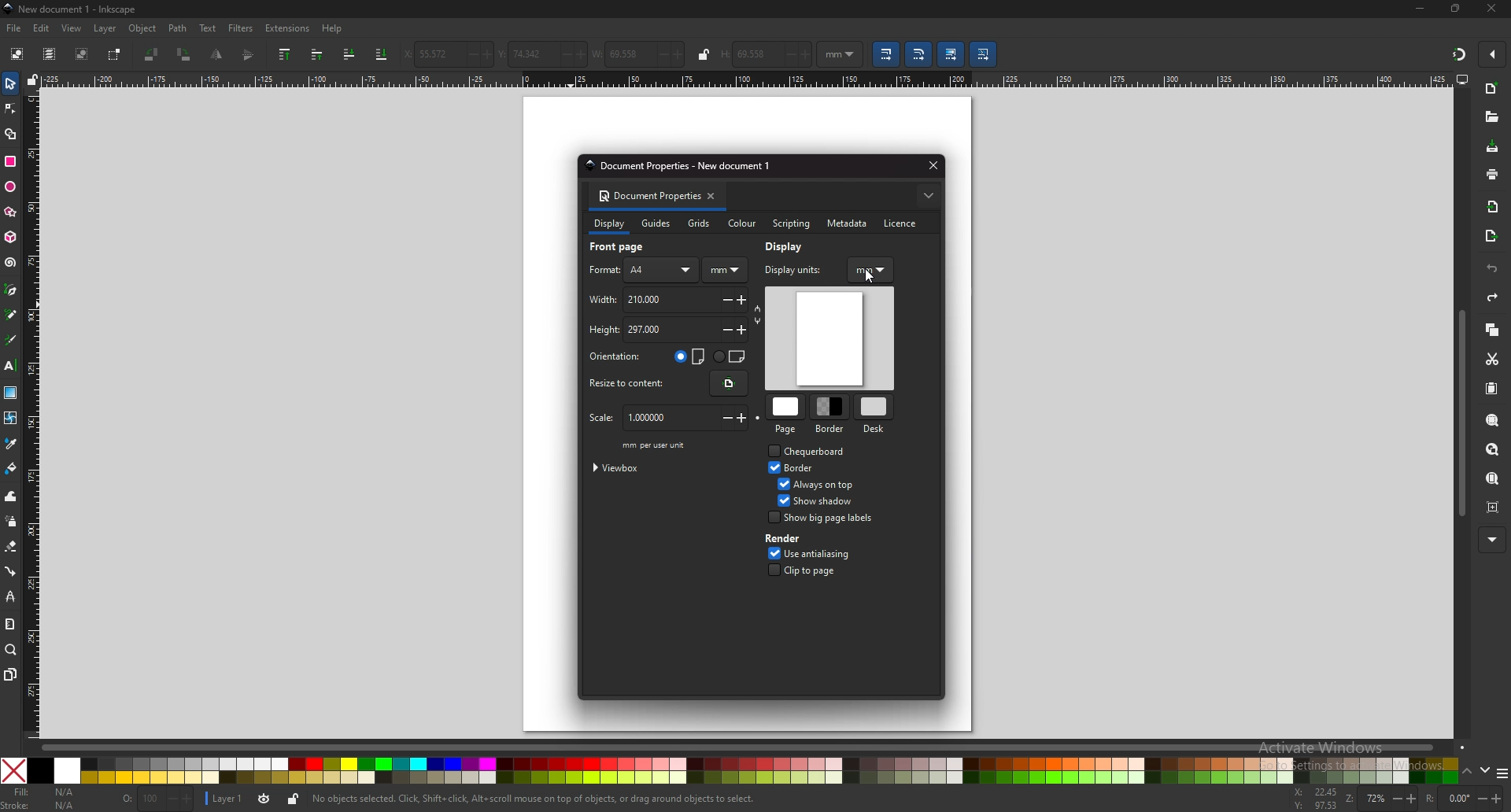 This screenshot has height=812, width=1511. I want to click on Drop down, so click(853, 54).